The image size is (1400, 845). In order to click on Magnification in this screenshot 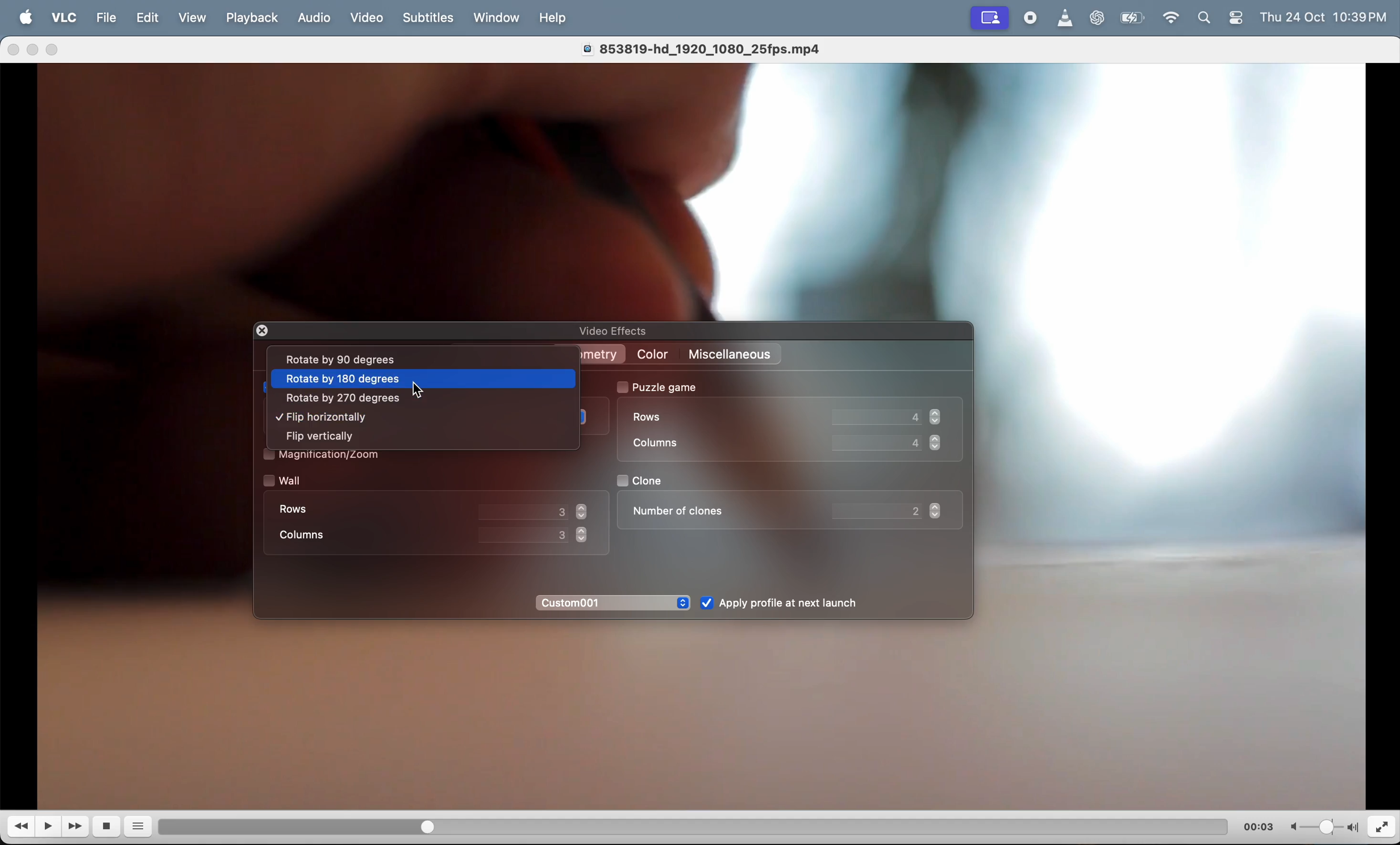, I will do `click(331, 454)`.